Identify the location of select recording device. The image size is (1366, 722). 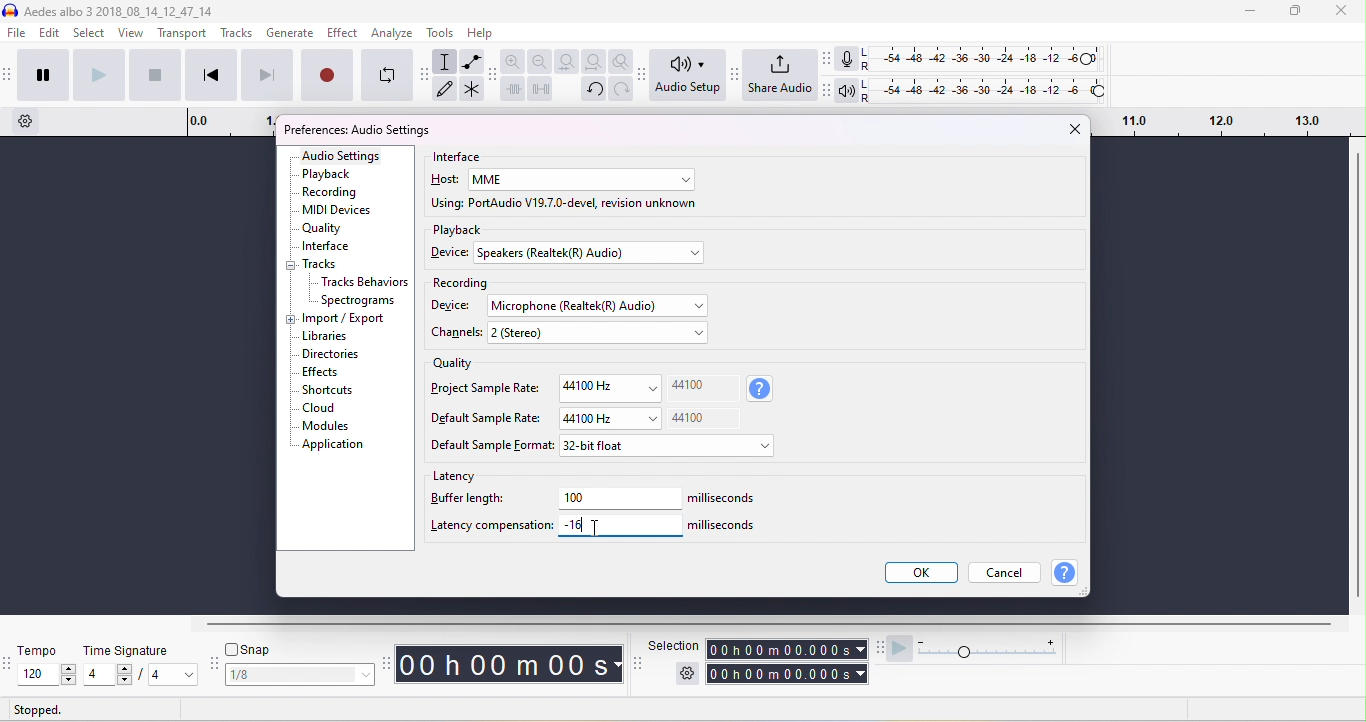
(605, 306).